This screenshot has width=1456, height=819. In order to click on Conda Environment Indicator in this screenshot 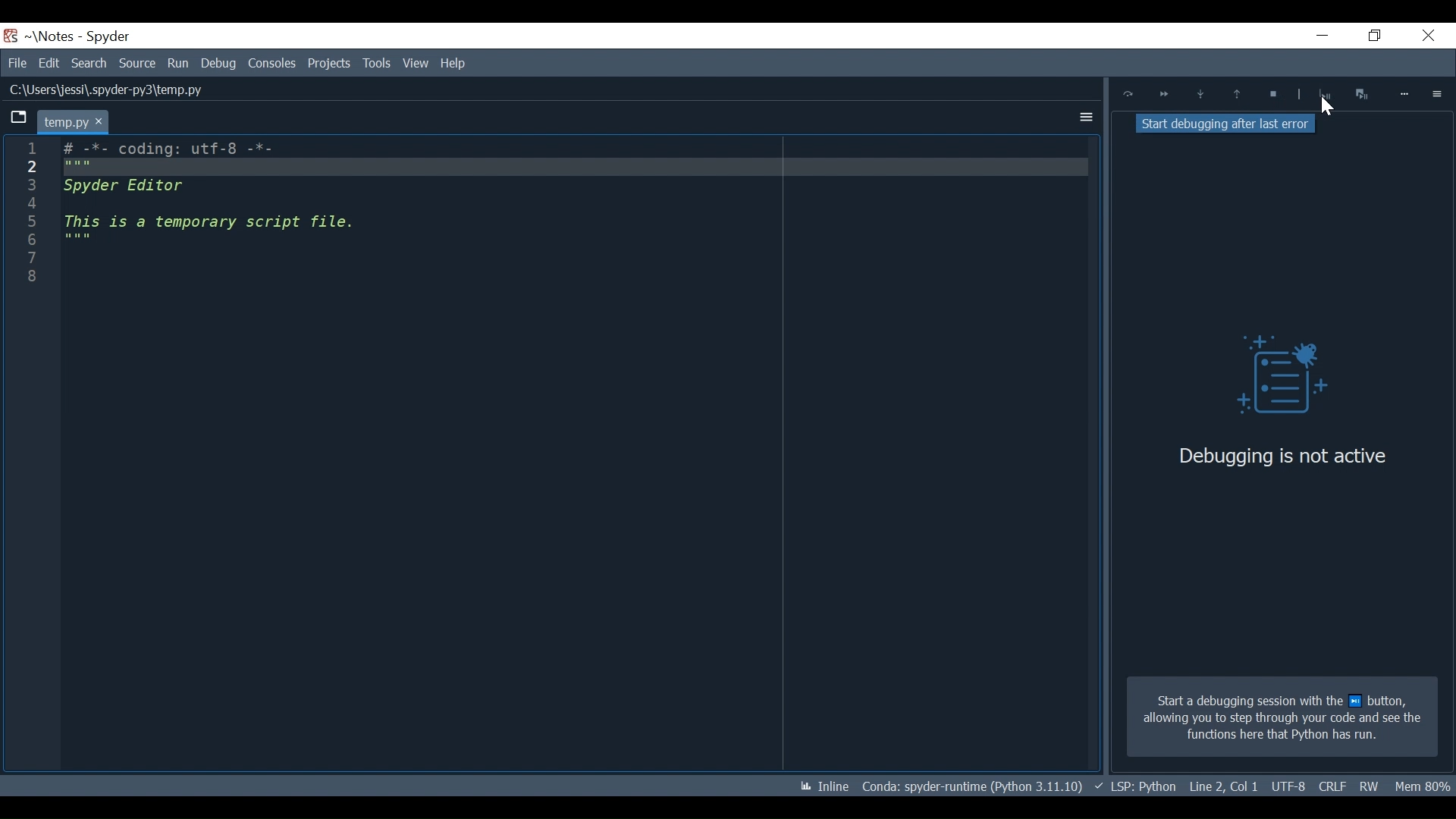, I will do `click(971, 786)`.